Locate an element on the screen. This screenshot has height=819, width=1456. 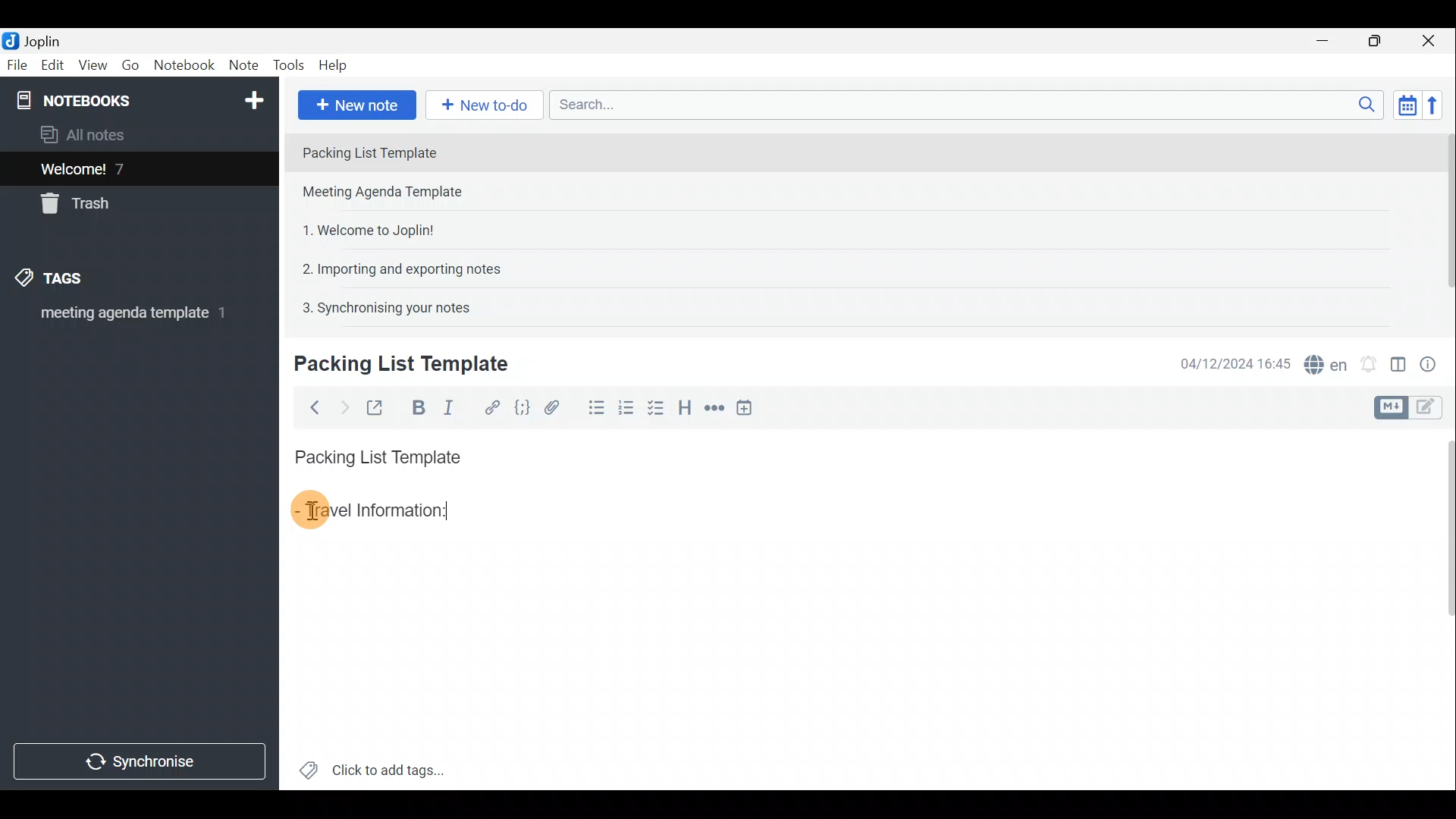
Notebook is located at coordinates (184, 67).